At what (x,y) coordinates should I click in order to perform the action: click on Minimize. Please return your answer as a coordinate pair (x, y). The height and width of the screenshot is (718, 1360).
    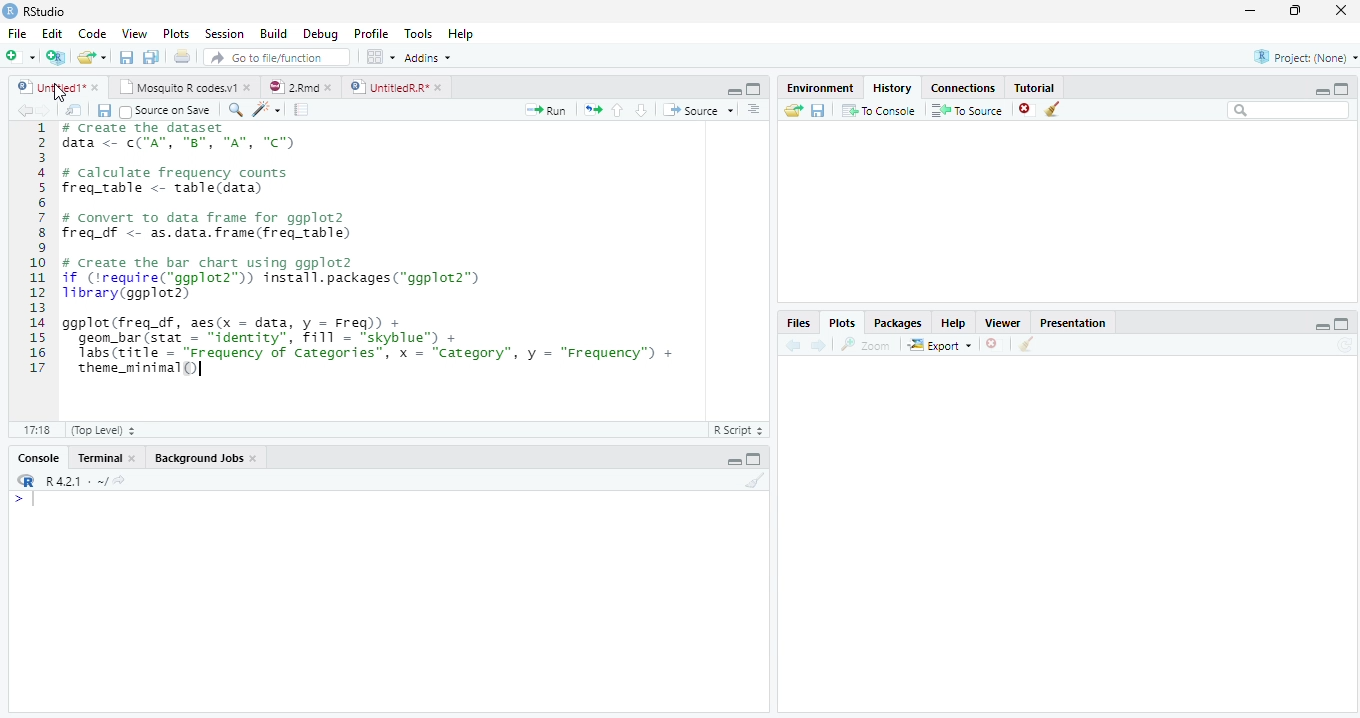
    Looking at the image, I should click on (1321, 92).